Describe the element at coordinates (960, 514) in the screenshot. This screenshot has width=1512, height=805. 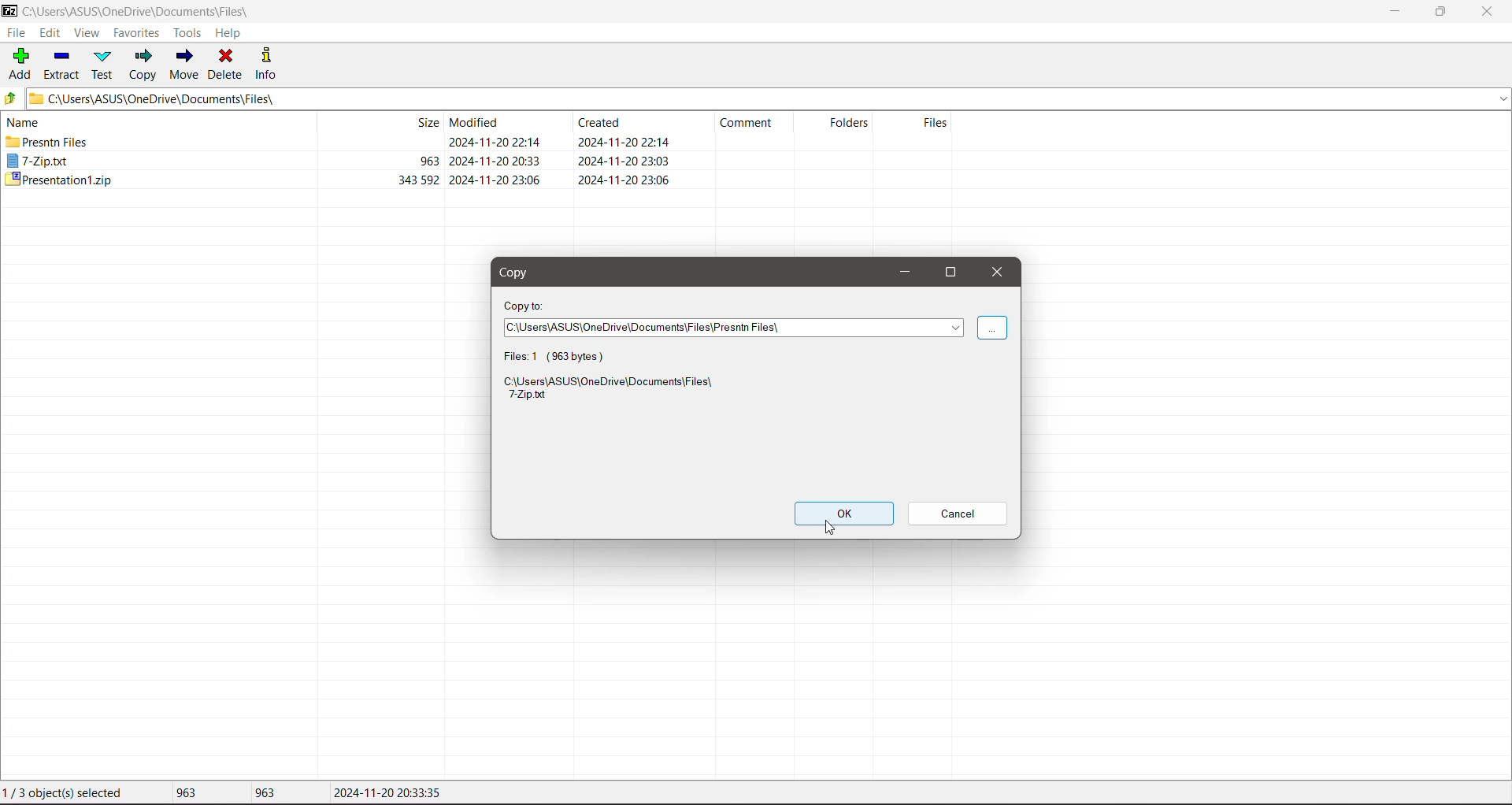
I see `Cancel` at that location.